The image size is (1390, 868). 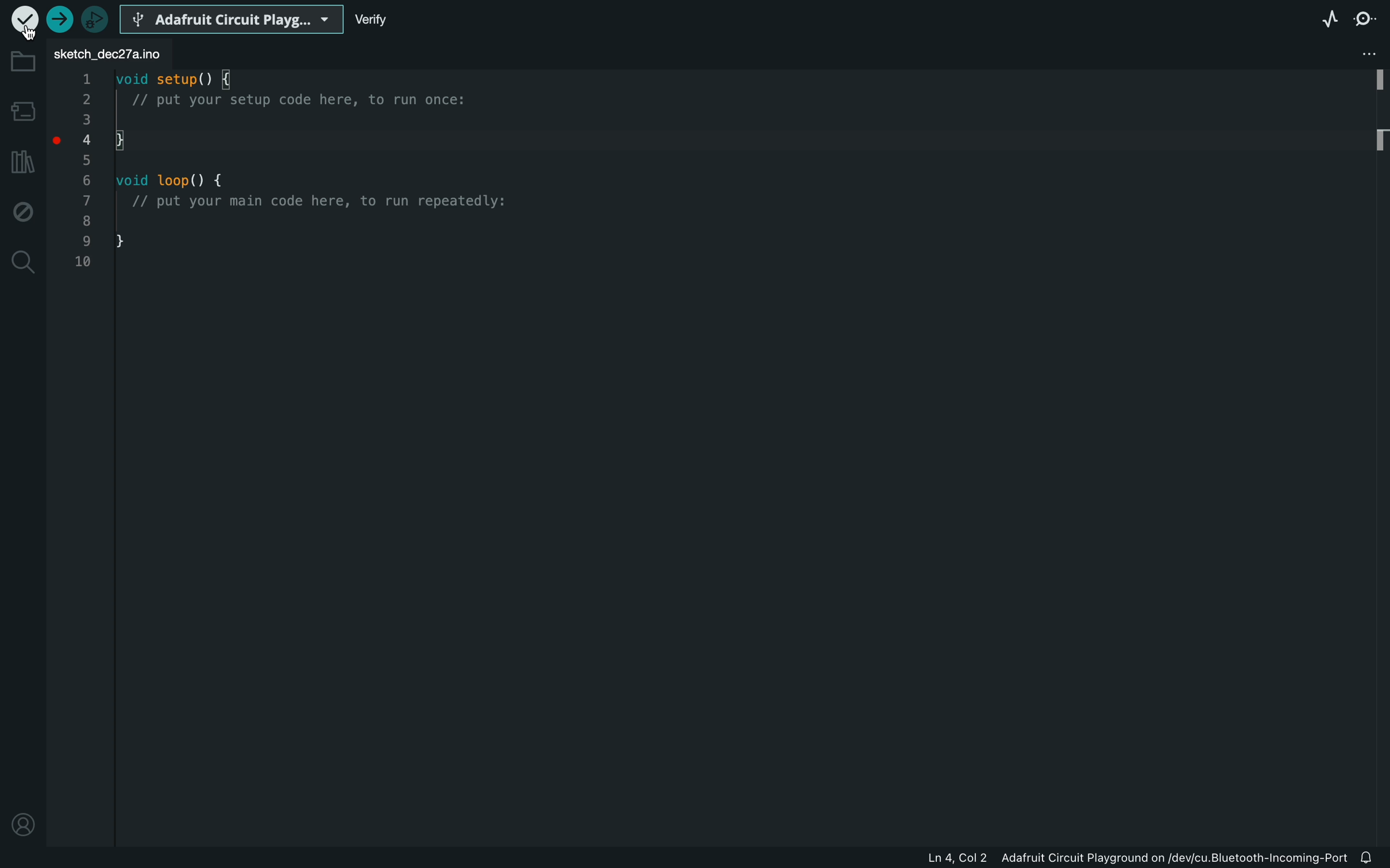 What do you see at coordinates (25, 23) in the screenshot?
I see `clicked` at bounding box center [25, 23].